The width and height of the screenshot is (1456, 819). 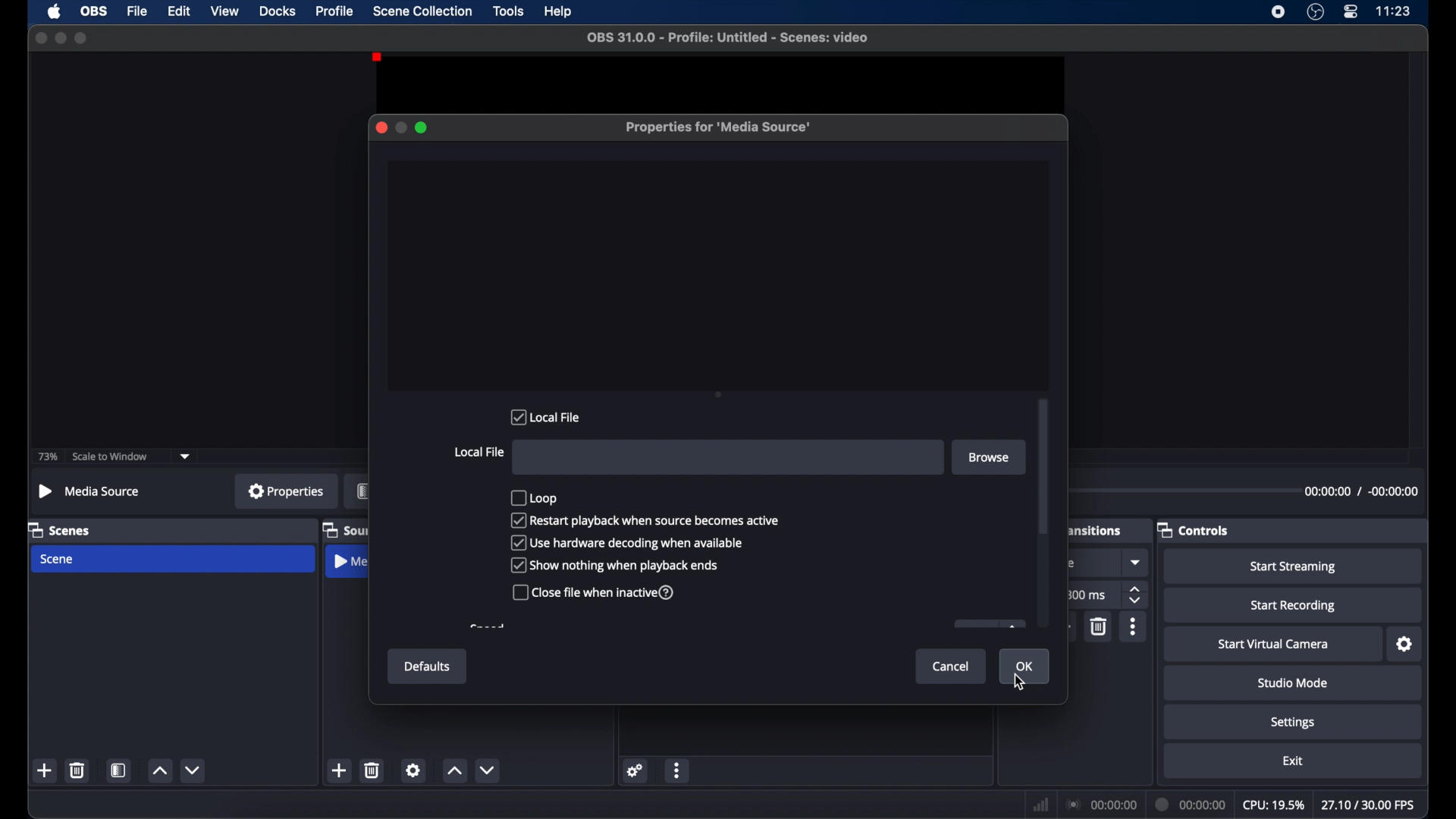 I want to click on decrement, so click(x=193, y=770).